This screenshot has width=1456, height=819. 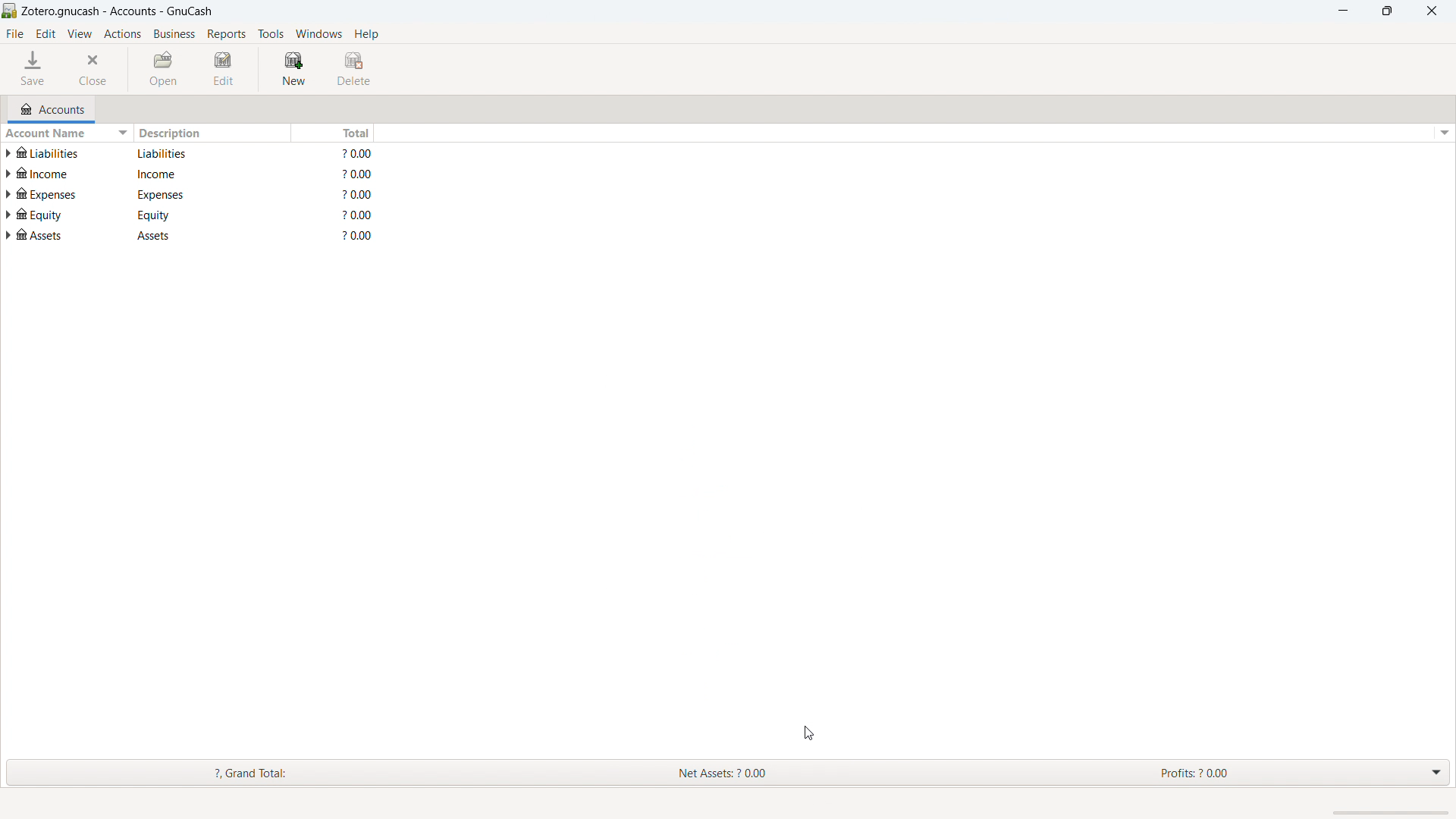 I want to click on maximize, so click(x=1387, y=11).